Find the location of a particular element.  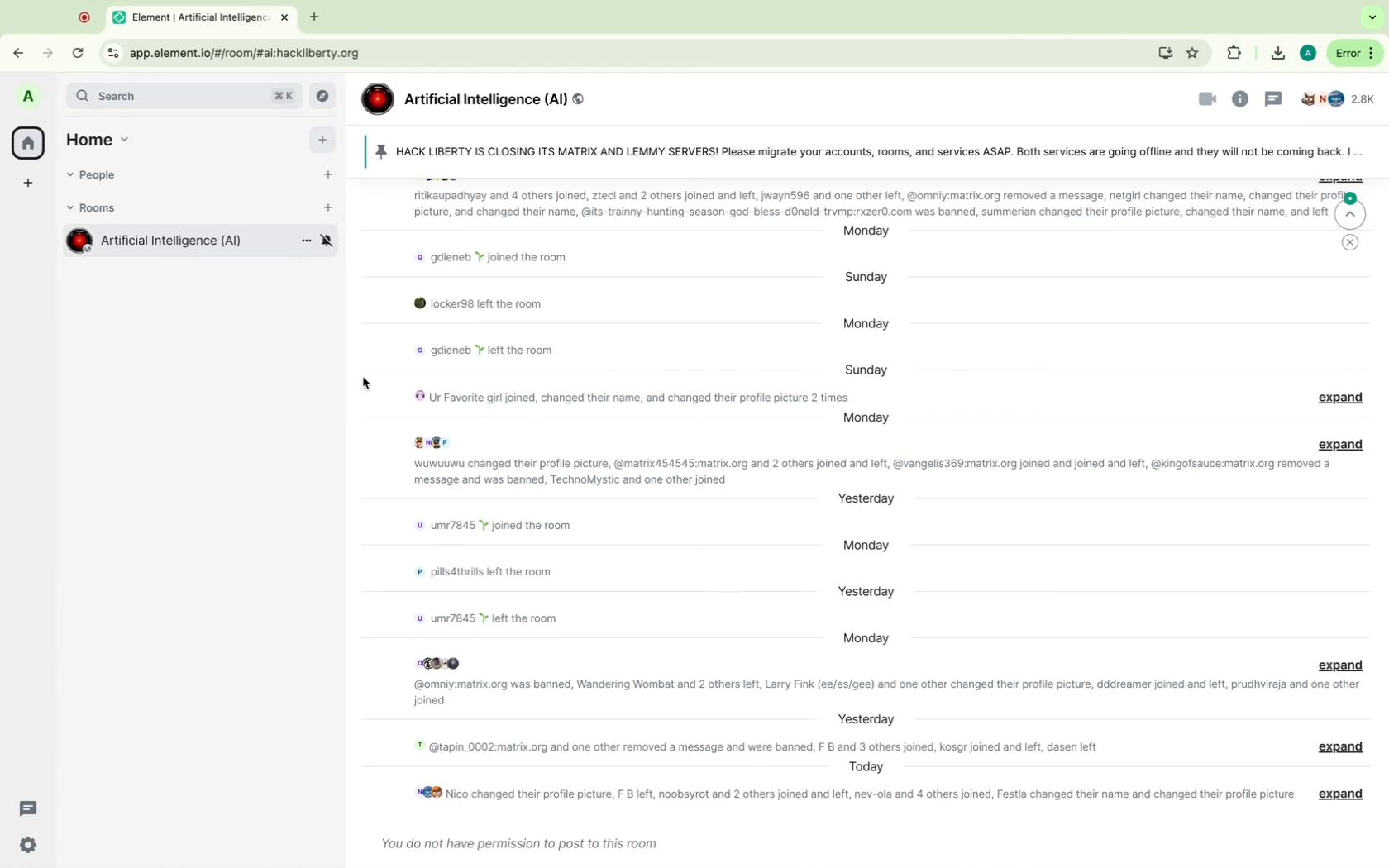

day is located at coordinates (867, 544).